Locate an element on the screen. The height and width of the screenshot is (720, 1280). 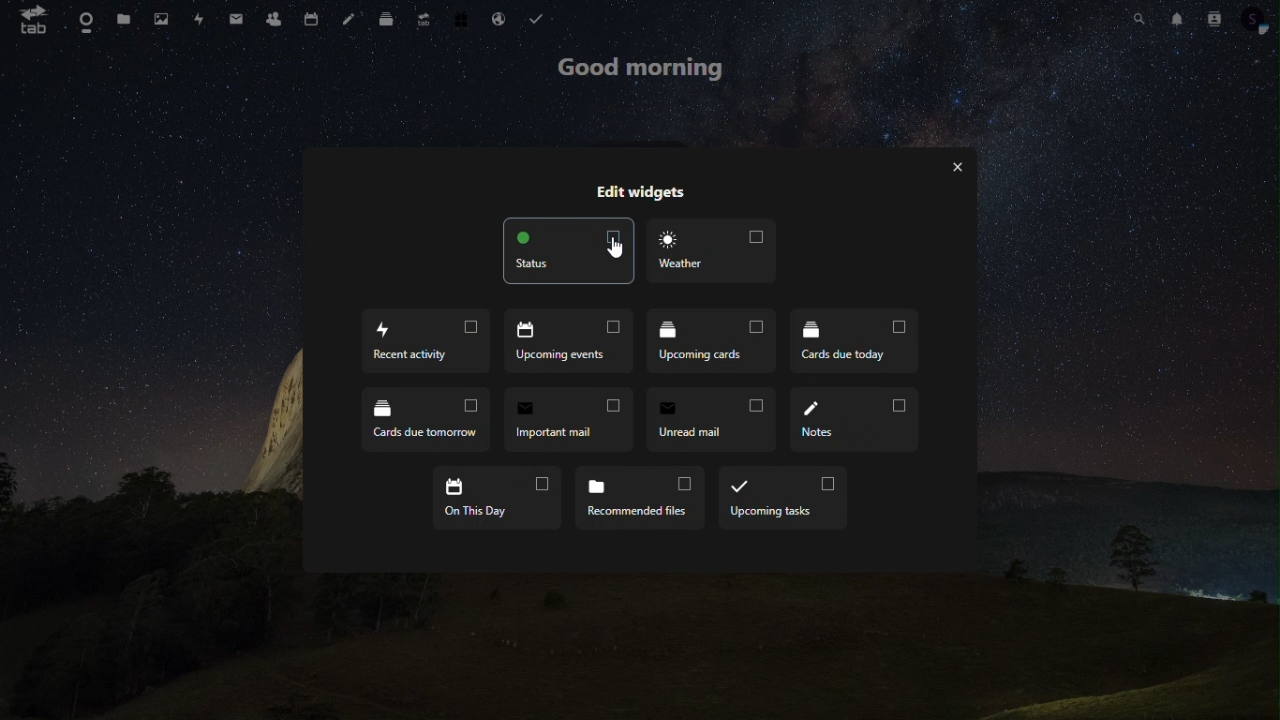
status disabled is located at coordinates (570, 250).